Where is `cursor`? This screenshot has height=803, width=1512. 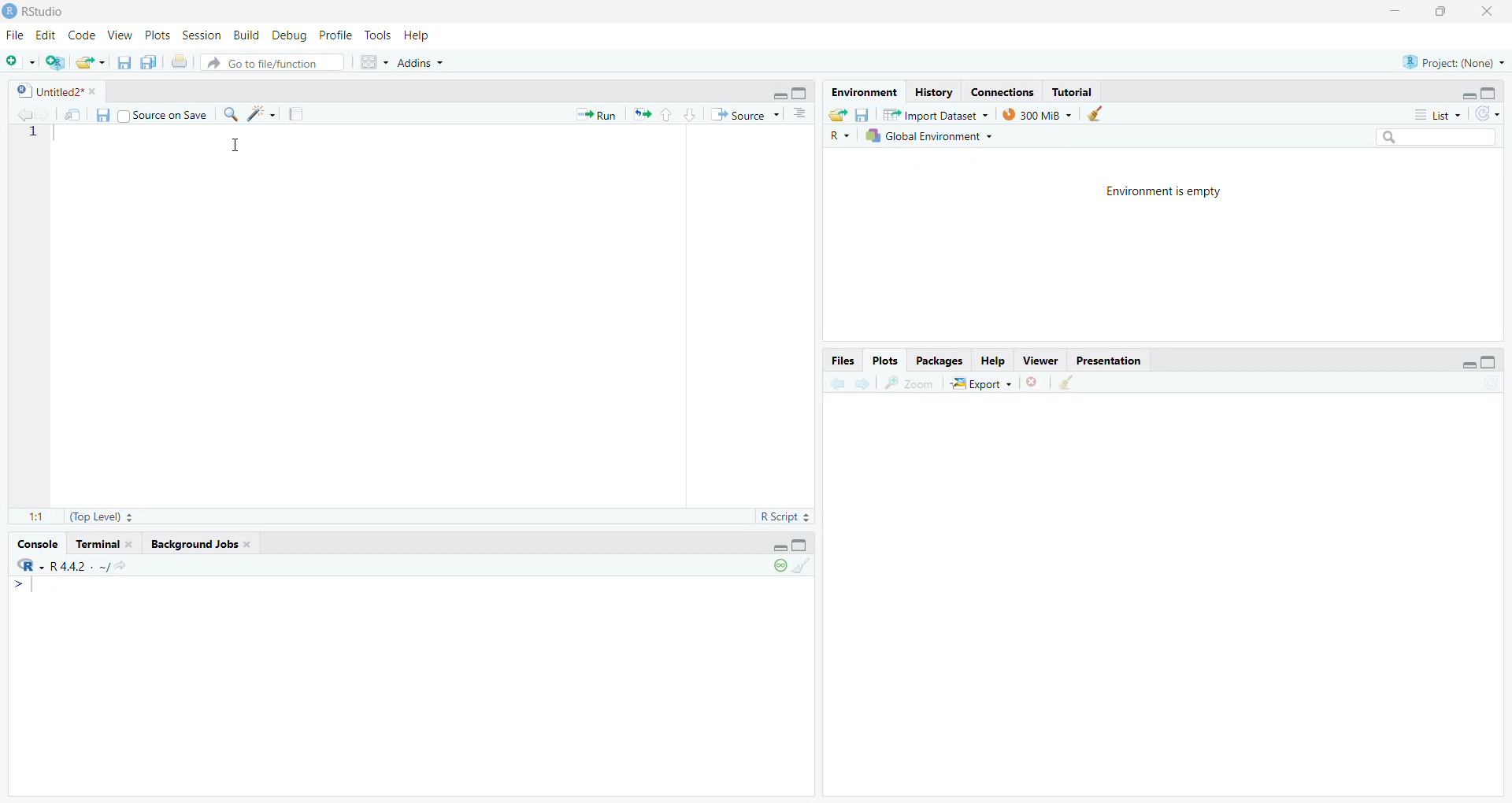 cursor is located at coordinates (237, 147).